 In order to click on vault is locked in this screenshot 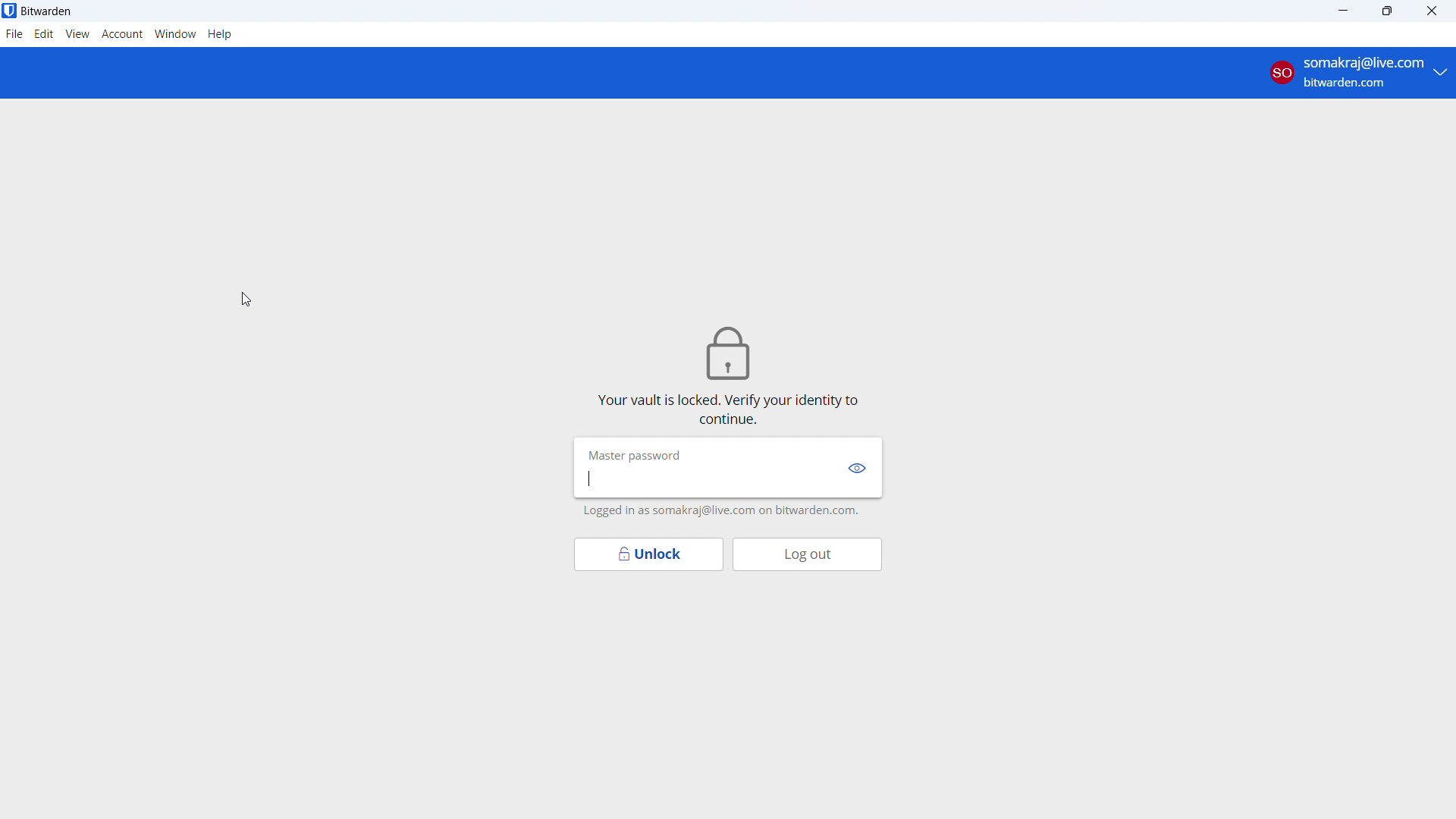, I will do `click(724, 406)`.